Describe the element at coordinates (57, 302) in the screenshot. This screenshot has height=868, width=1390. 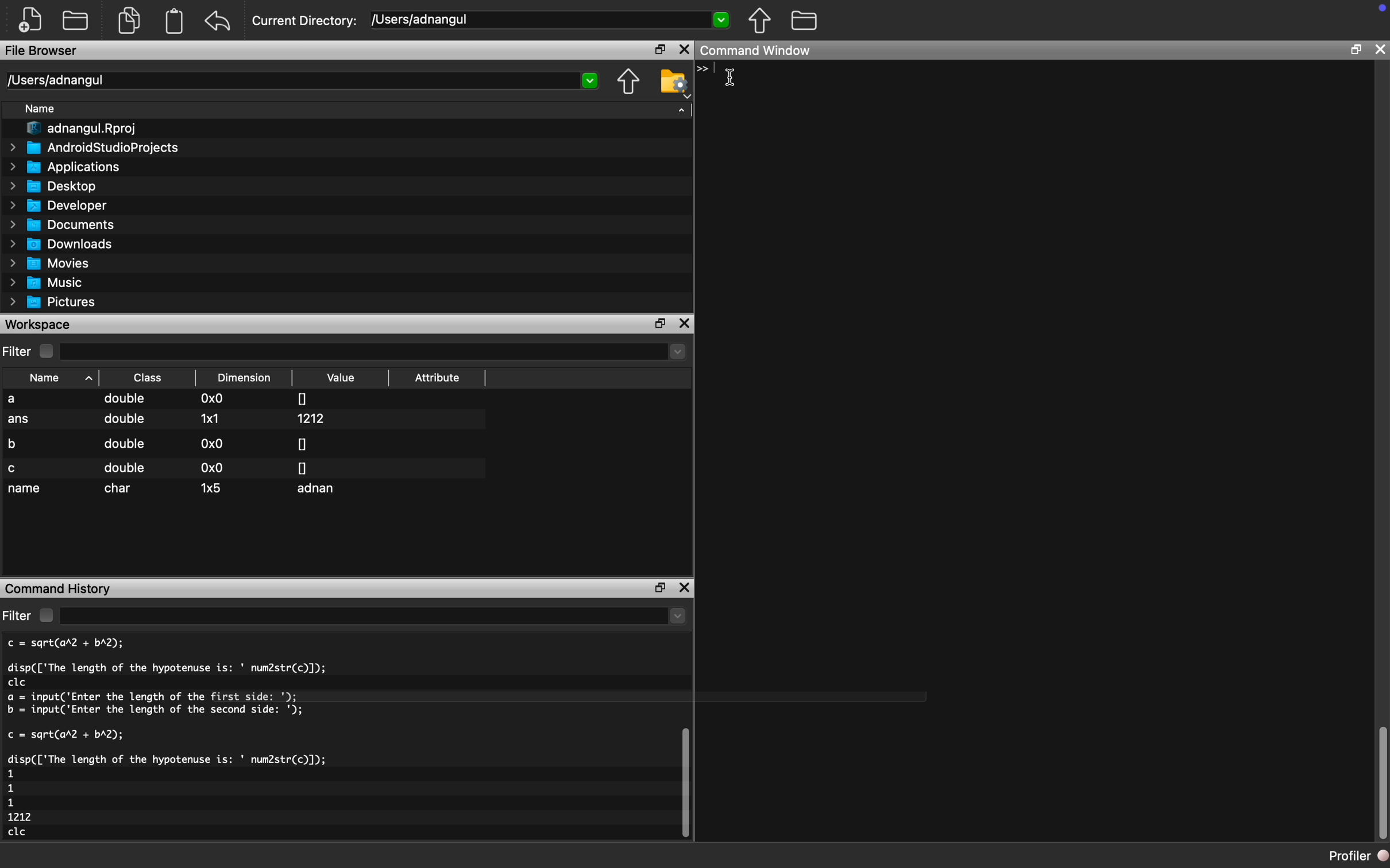
I see ` Pictures` at that location.